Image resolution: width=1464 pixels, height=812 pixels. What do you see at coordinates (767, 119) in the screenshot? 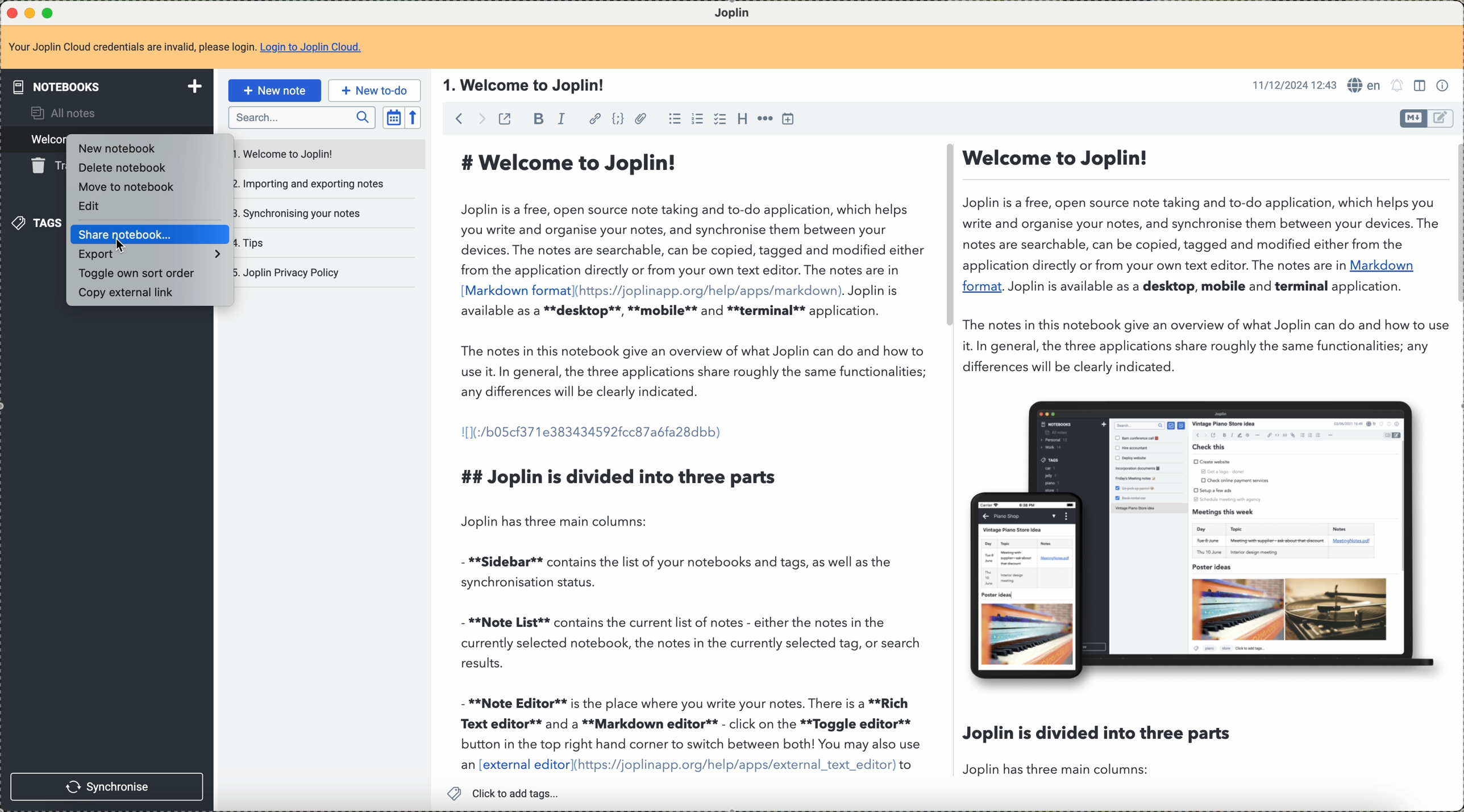
I see `horizontal rule` at bounding box center [767, 119].